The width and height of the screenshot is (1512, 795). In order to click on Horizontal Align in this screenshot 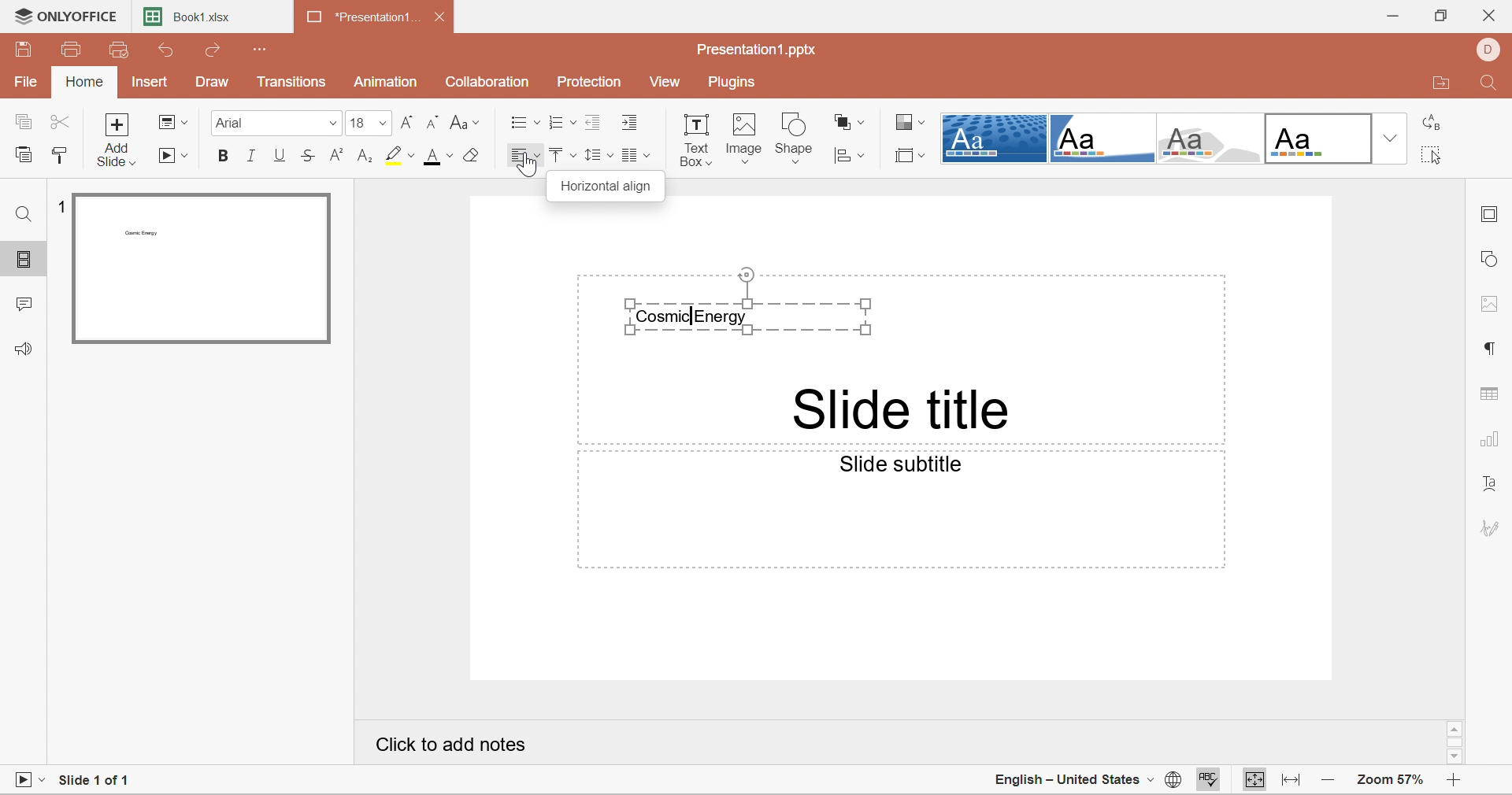, I will do `click(610, 187)`.